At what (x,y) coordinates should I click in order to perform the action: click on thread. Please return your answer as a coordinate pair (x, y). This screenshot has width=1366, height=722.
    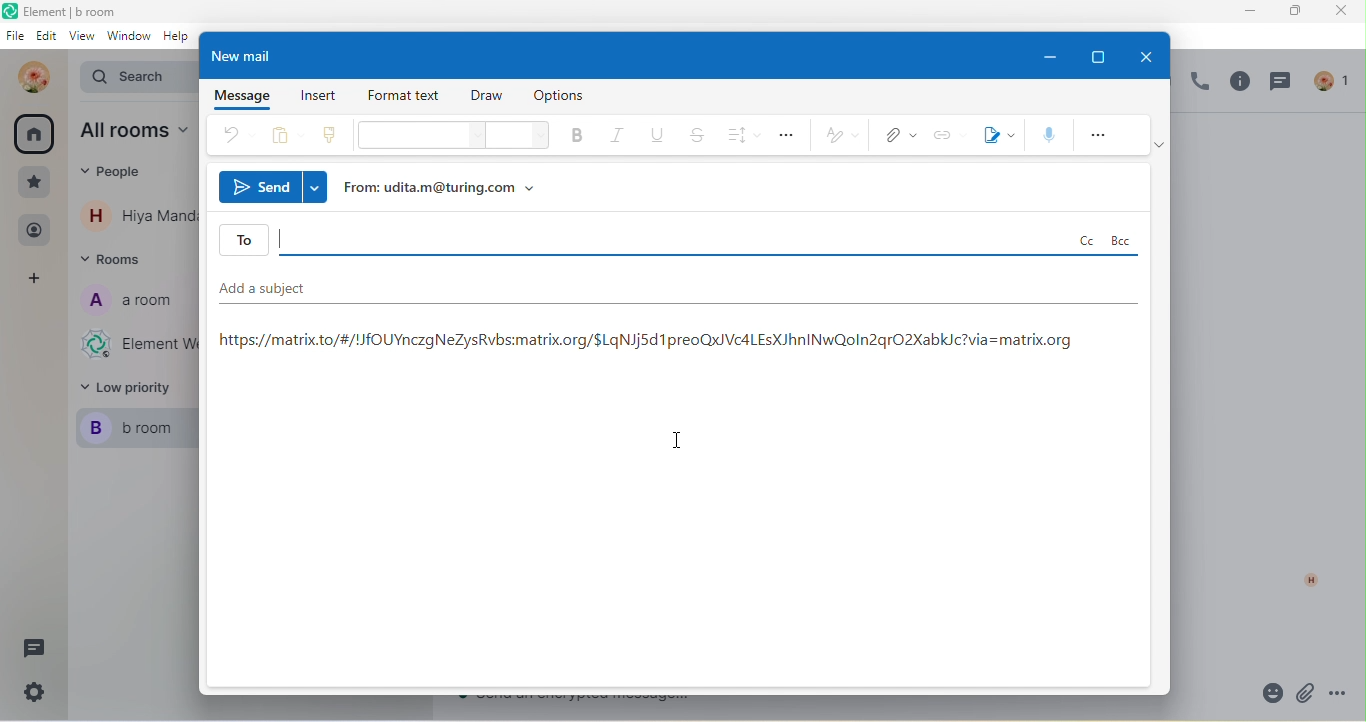
    Looking at the image, I should click on (1285, 85).